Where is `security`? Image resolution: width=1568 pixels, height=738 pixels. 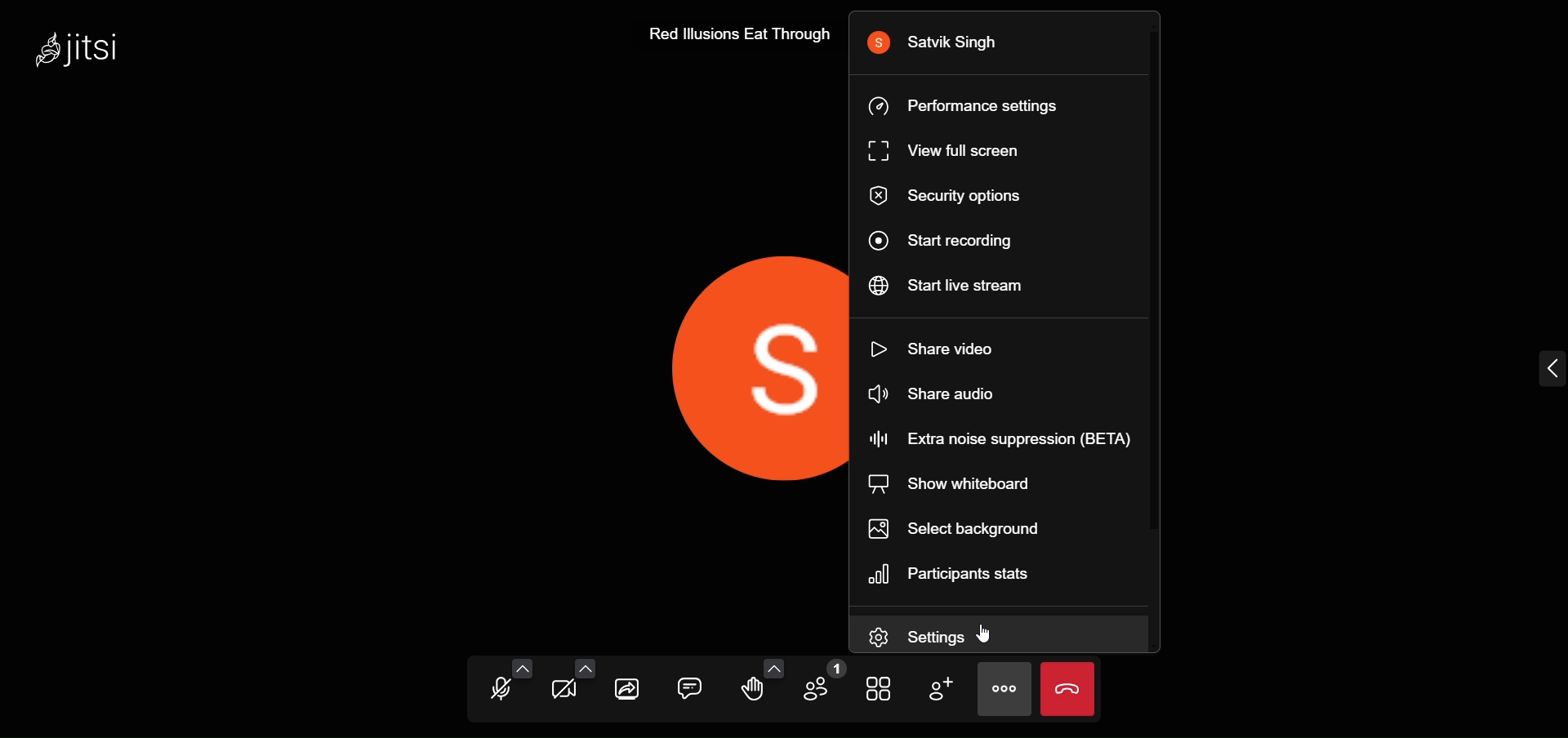 security is located at coordinates (947, 197).